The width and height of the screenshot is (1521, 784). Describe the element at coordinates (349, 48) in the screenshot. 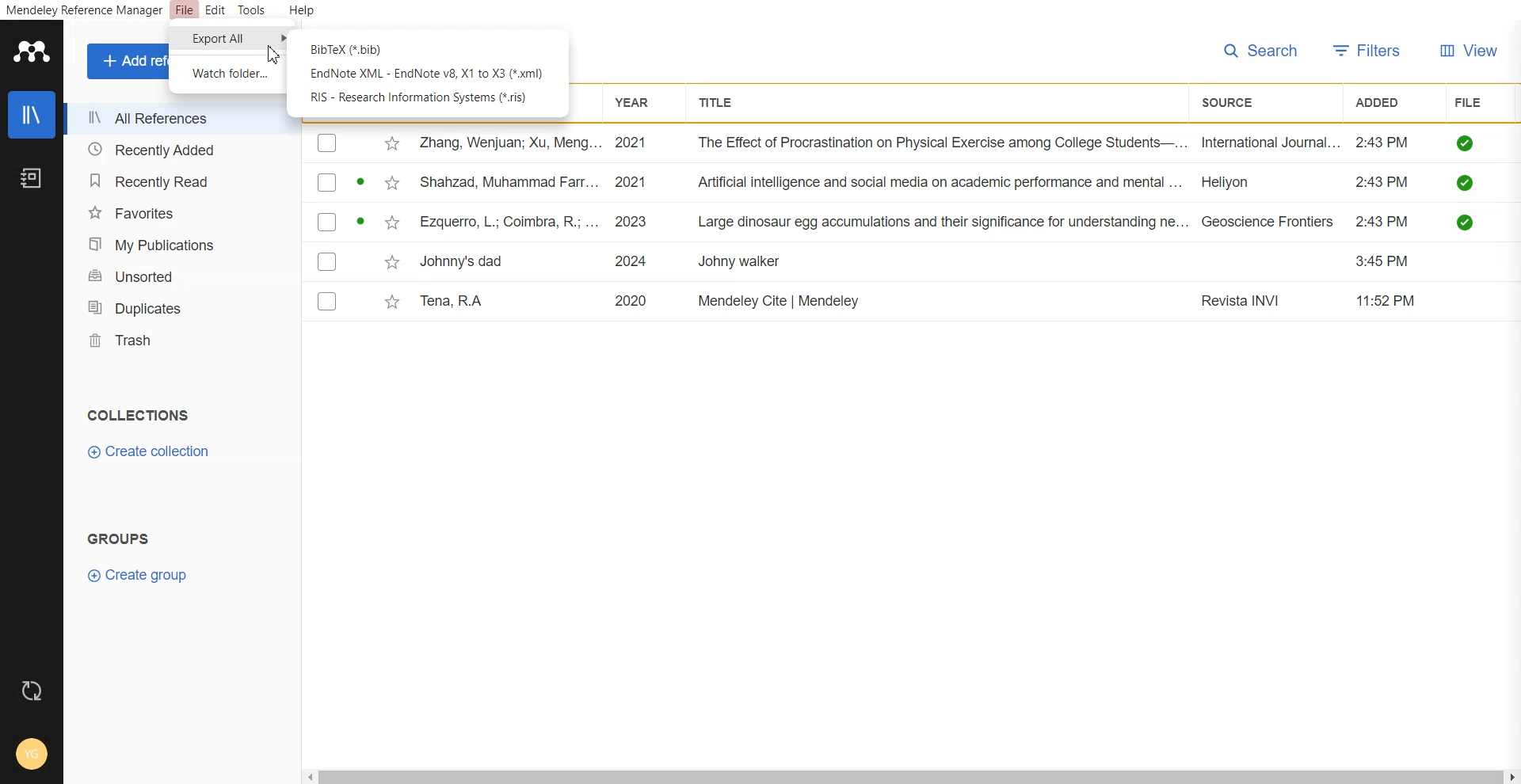

I see `BibTeX (*.bib)` at that location.